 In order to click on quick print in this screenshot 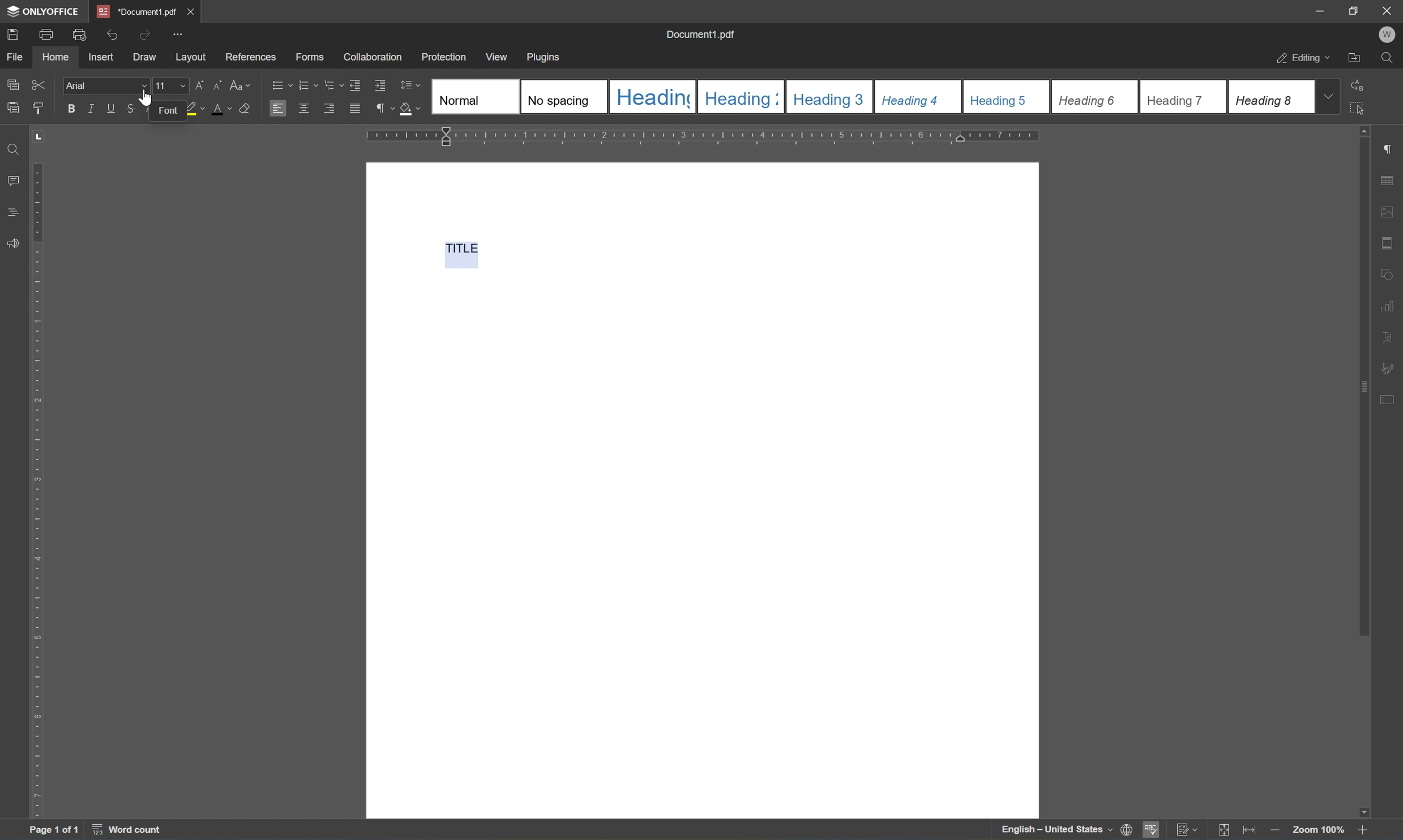, I will do `click(79, 35)`.